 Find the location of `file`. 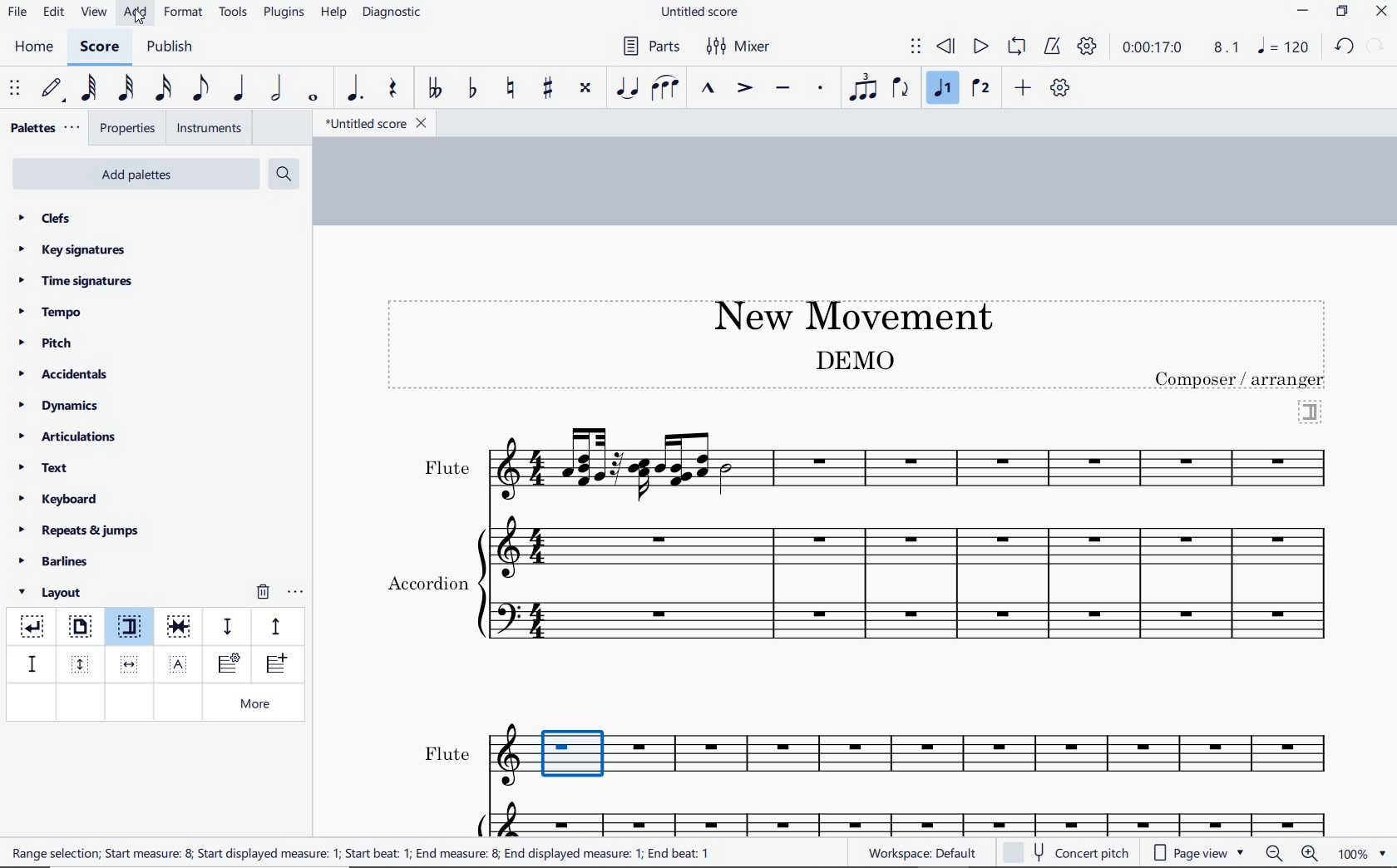

file is located at coordinates (17, 15).